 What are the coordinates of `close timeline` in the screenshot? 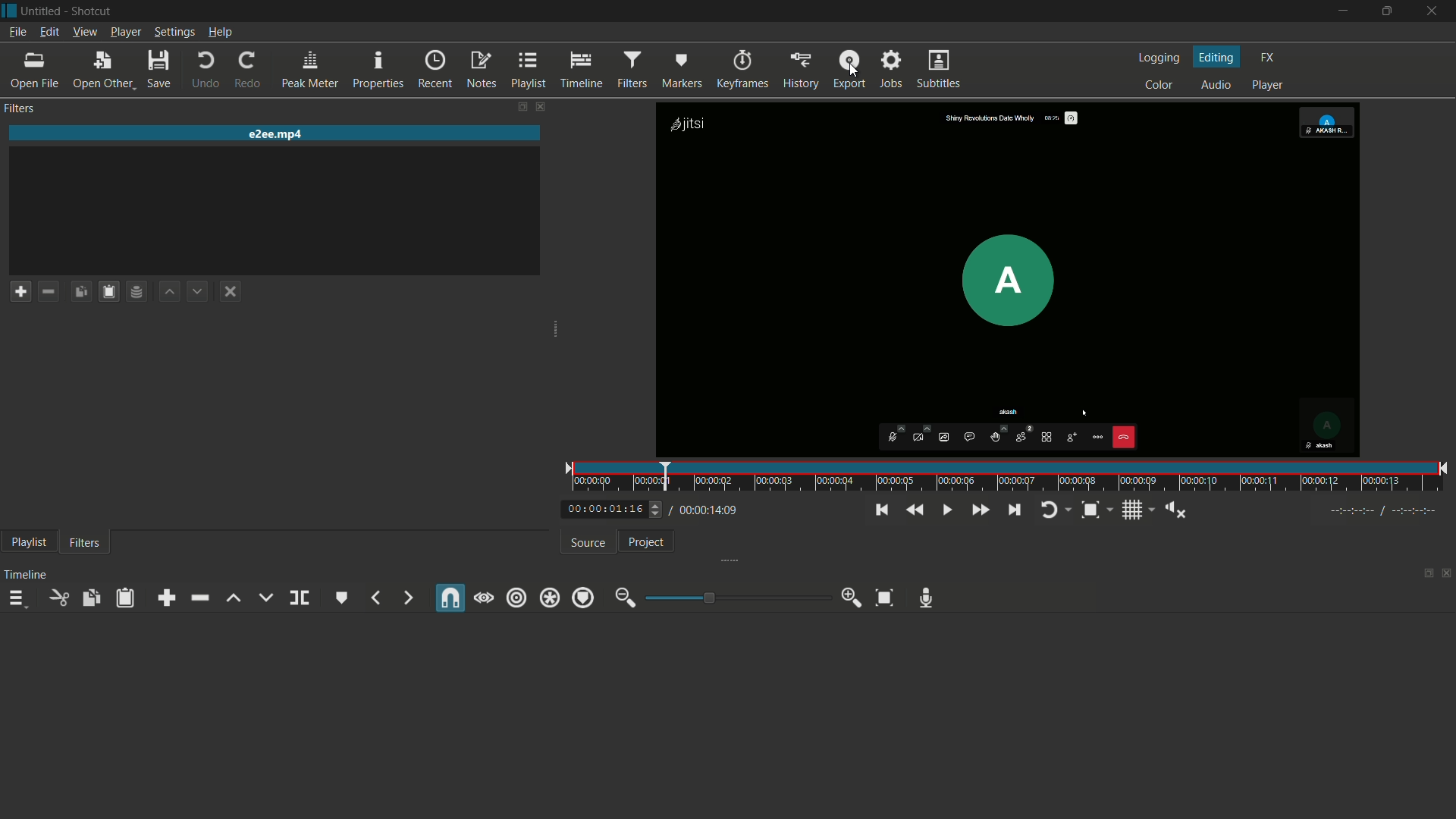 It's located at (1447, 575).